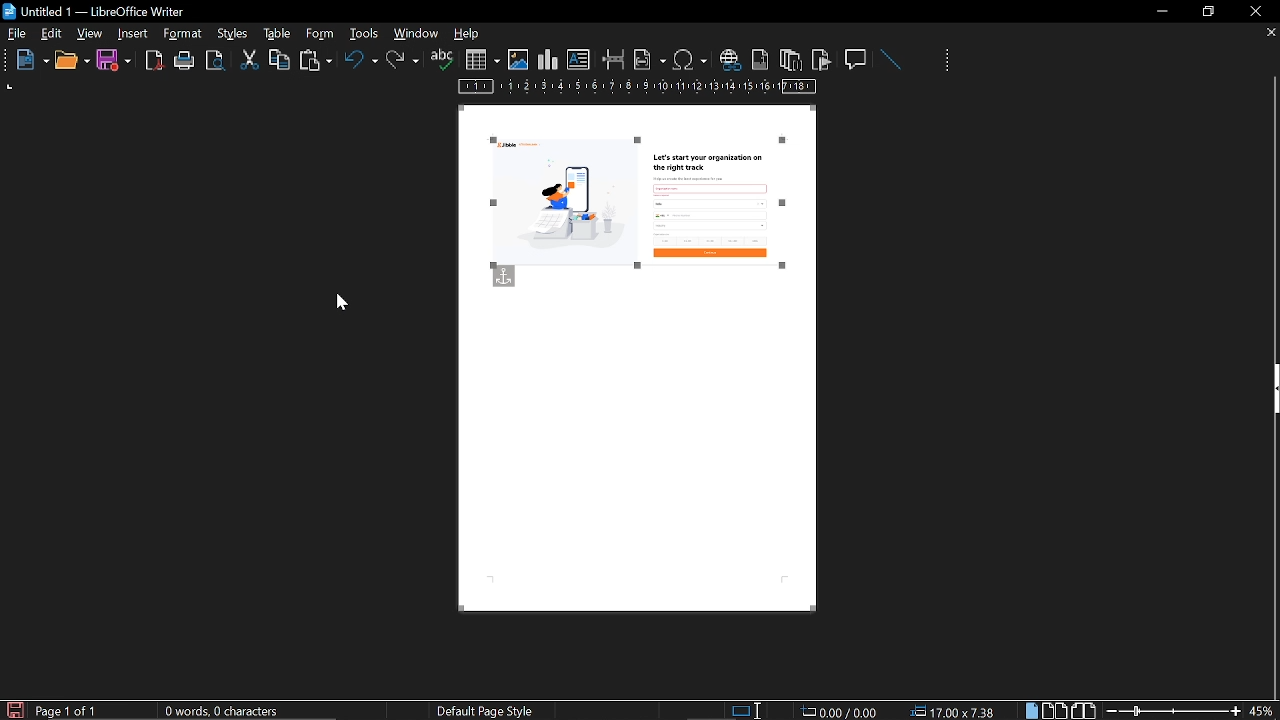  What do you see at coordinates (319, 33) in the screenshot?
I see `table` at bounding box center [319, 33].